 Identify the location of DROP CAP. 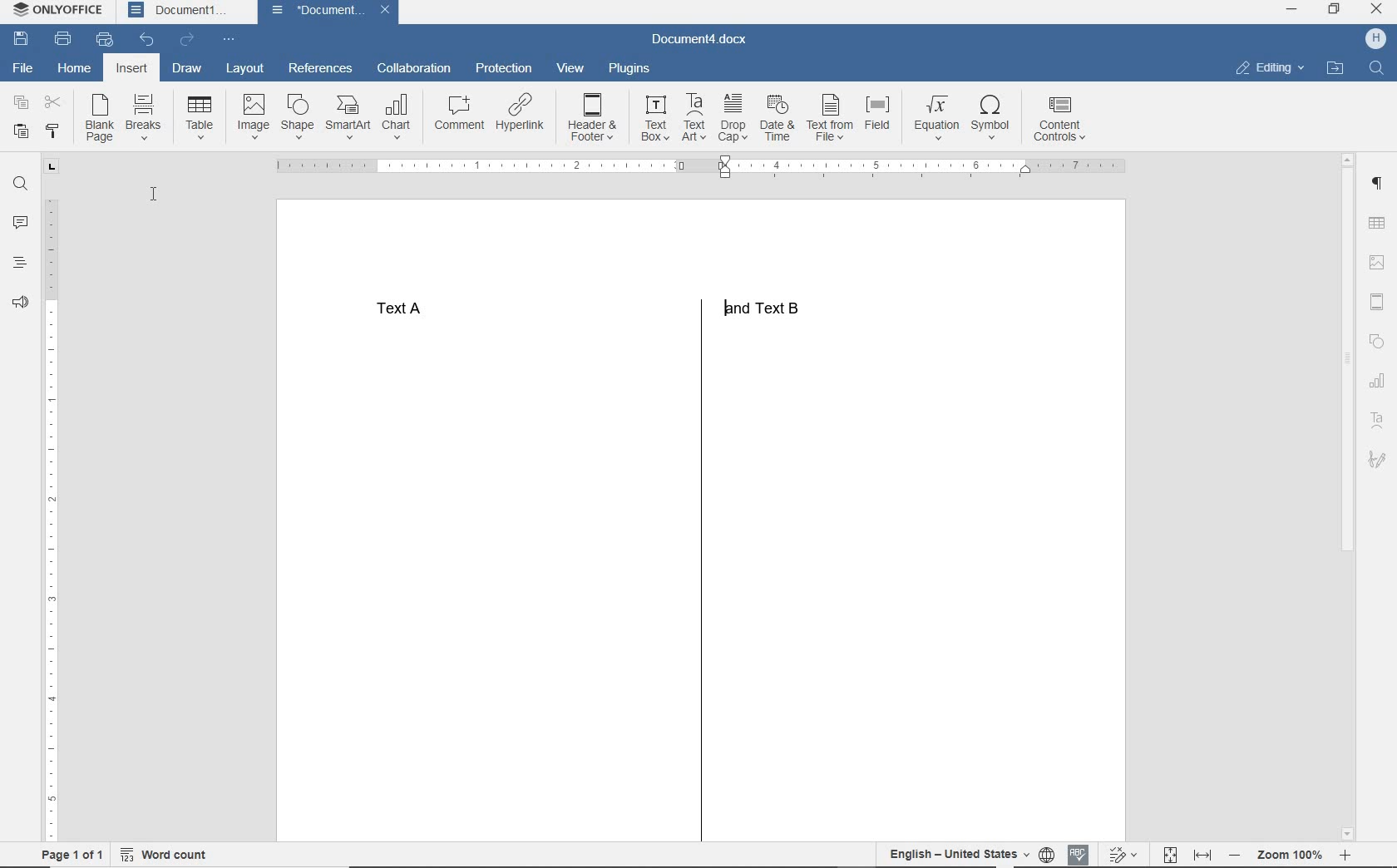
(734, 120).